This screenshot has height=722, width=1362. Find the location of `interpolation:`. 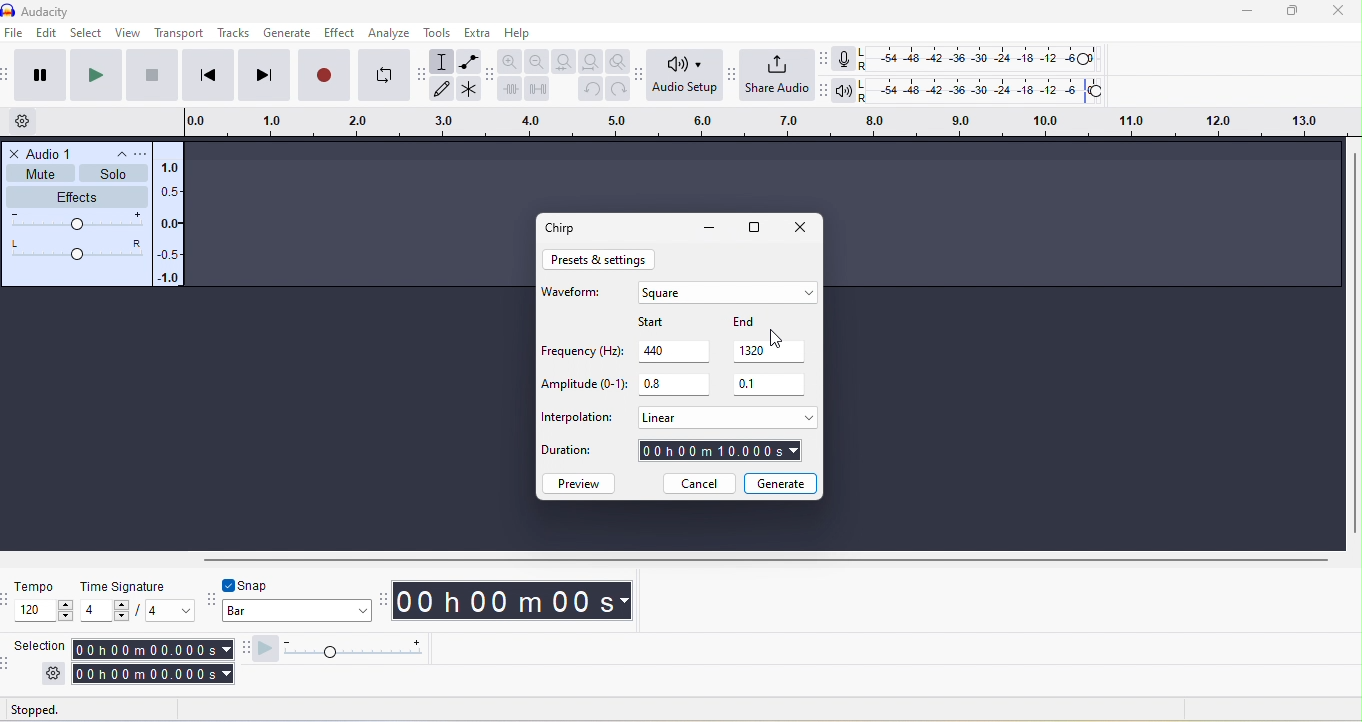

interpolation: is located at coordinates (578, 418).